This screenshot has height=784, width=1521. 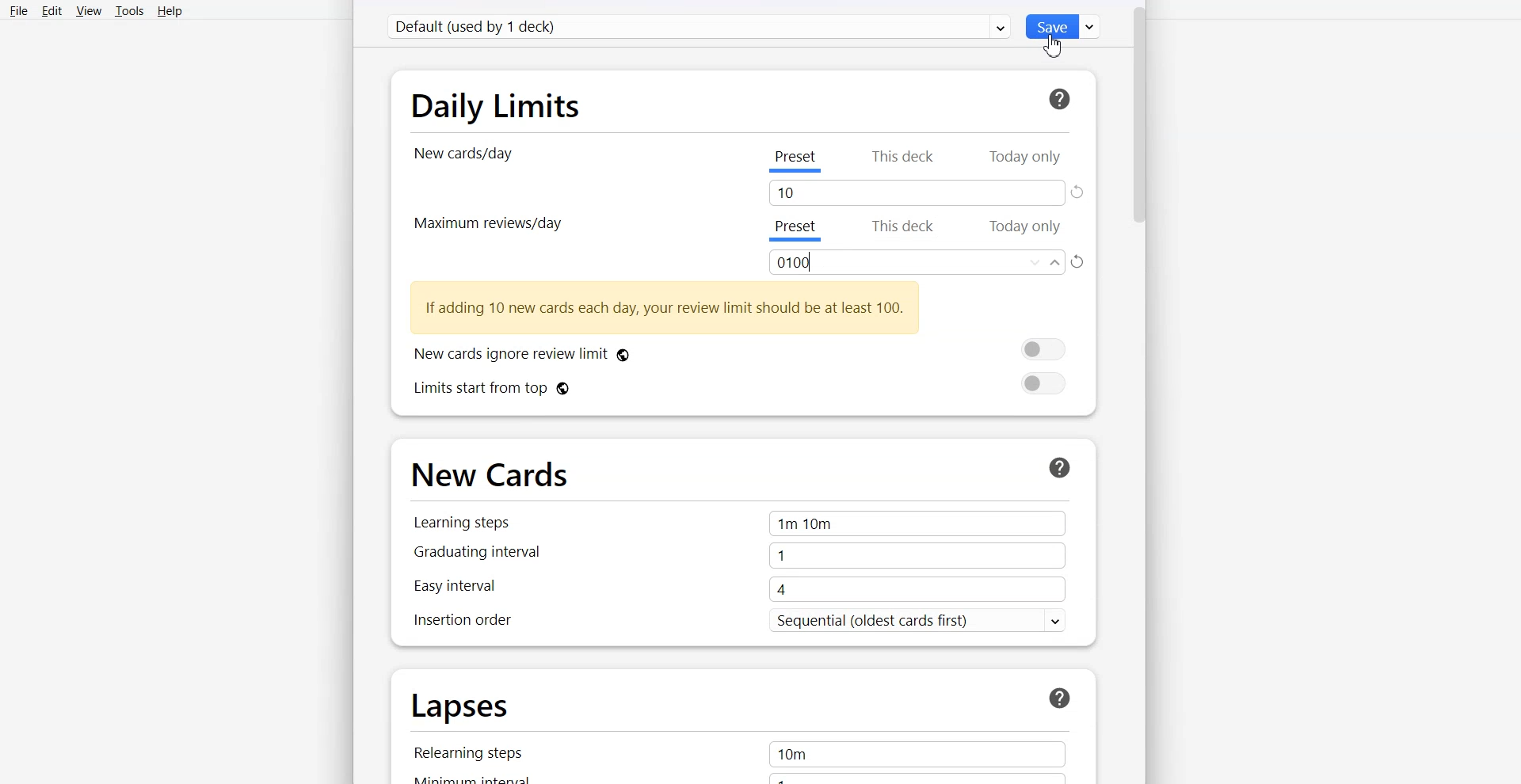 I want to click on Relearning steps, so click(x=741, y=753).